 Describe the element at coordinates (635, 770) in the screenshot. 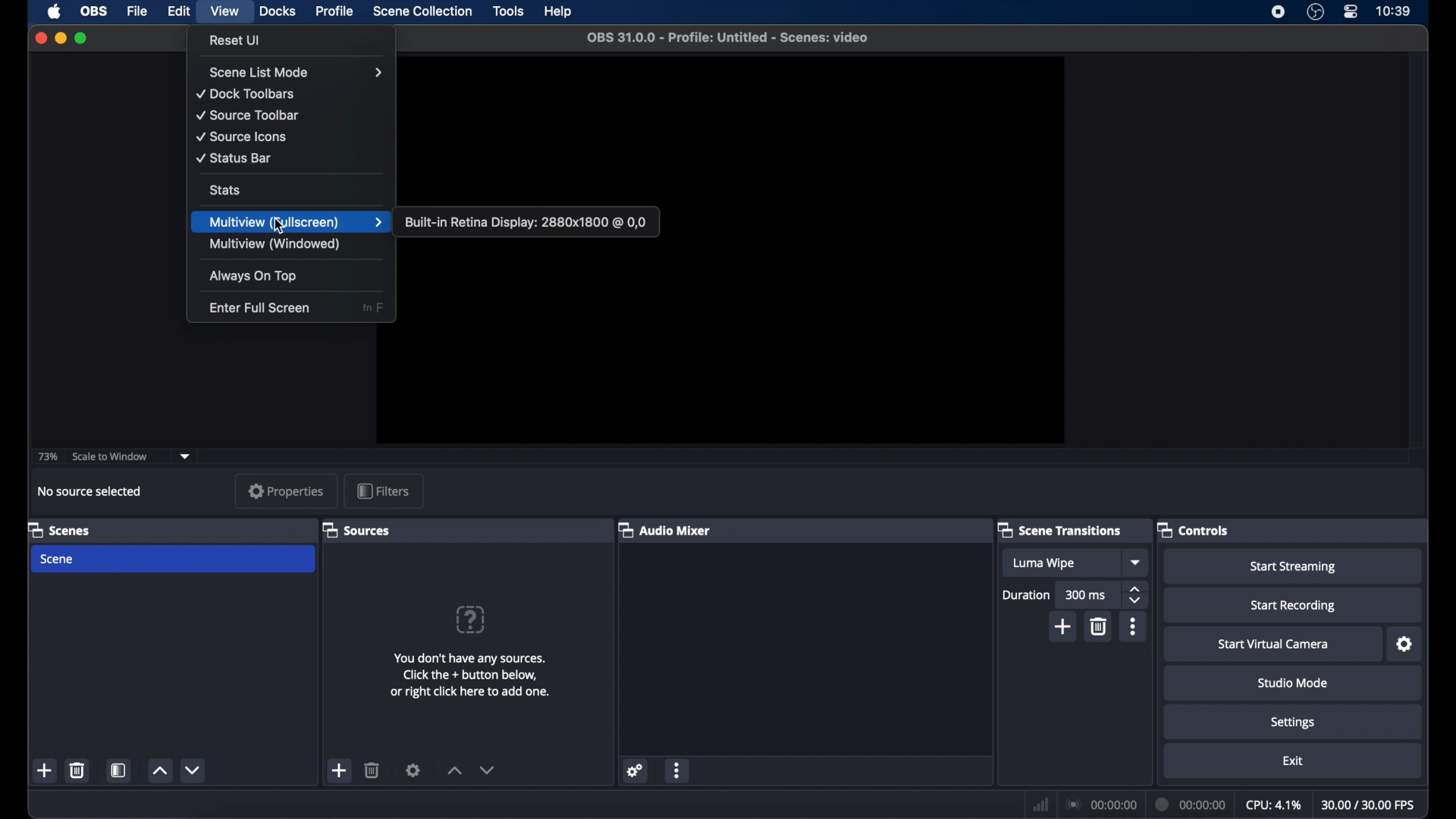

I see `settings` at that location.